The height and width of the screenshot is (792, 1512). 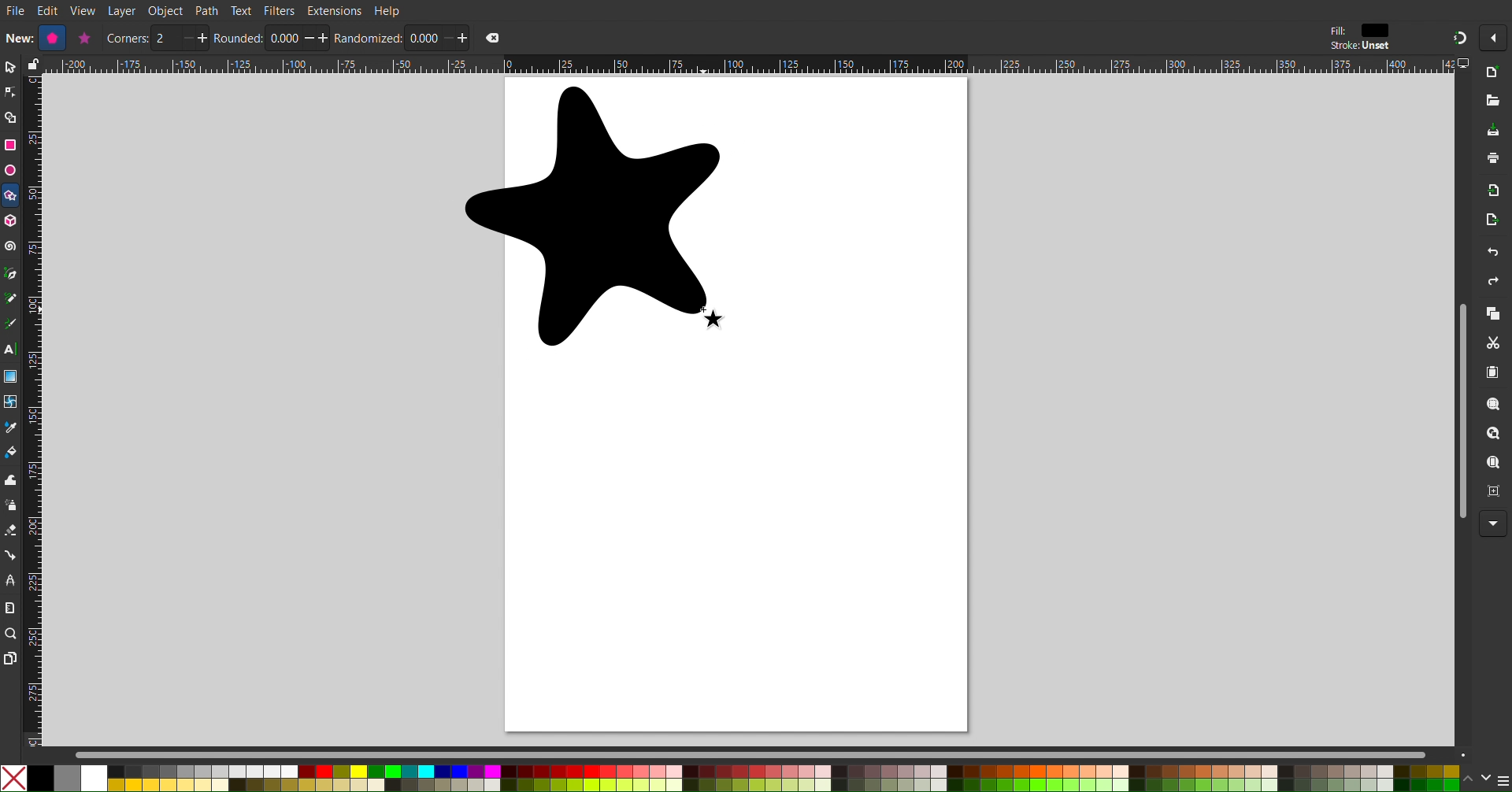 What do you see at coordinates (1336, 31) in the screenshot?
I see `Fill` at bounding box center [1336, 31].